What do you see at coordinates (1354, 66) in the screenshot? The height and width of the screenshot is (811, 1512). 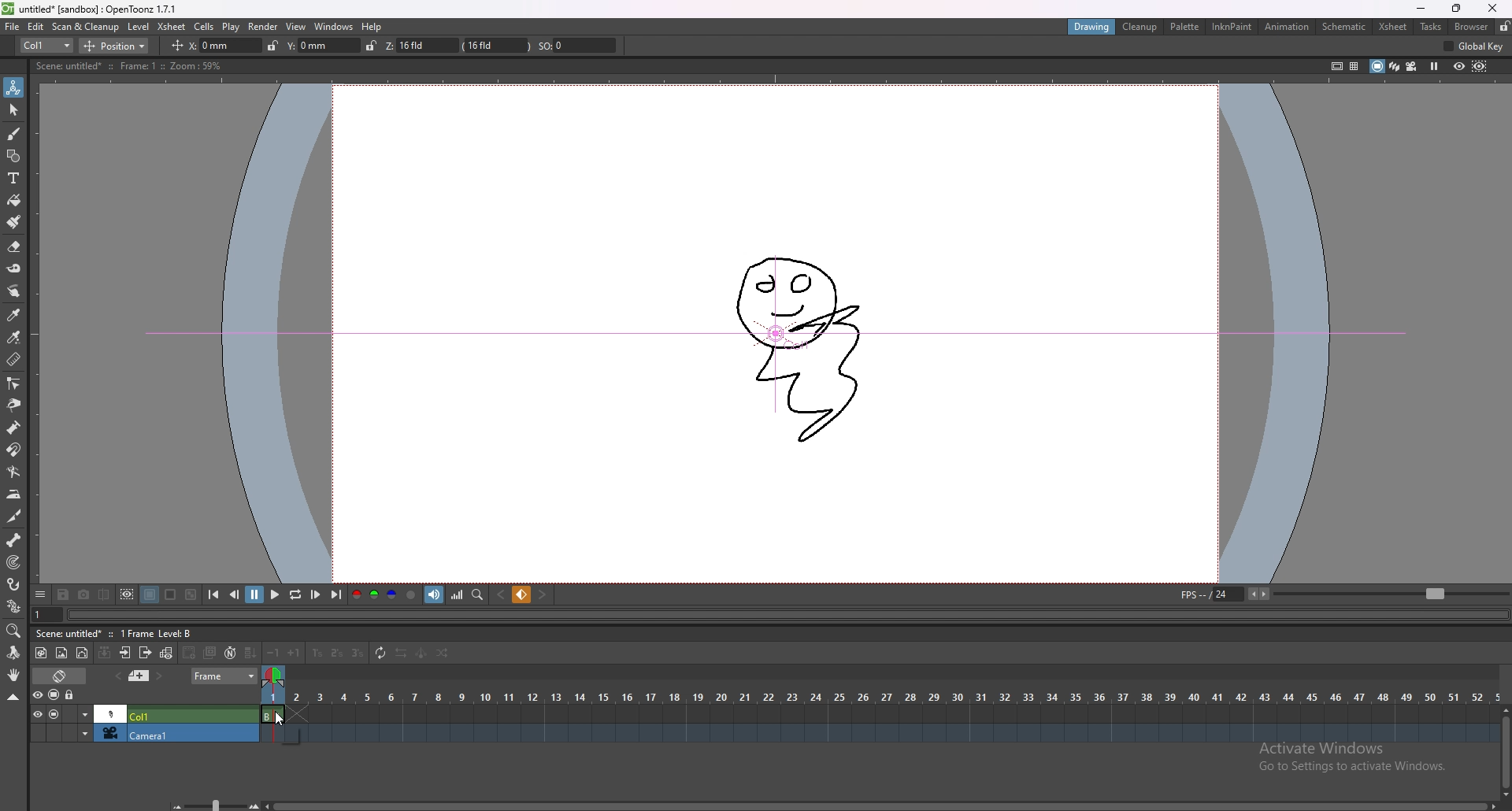 I see `field guide` at bounding box center [1354, 66].